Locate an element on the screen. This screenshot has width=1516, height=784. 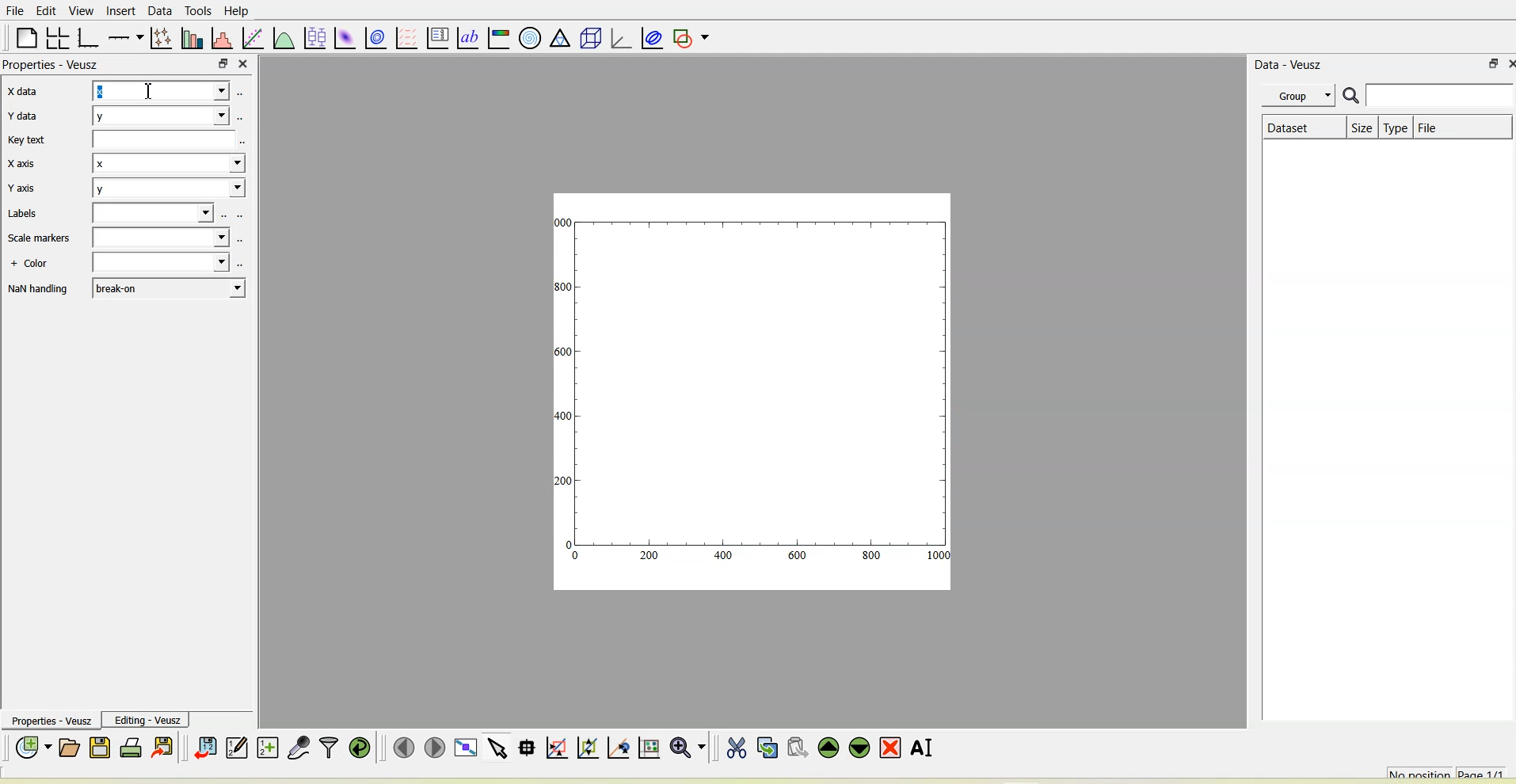
Read data points on the graph is located at coordinates (526, 748).